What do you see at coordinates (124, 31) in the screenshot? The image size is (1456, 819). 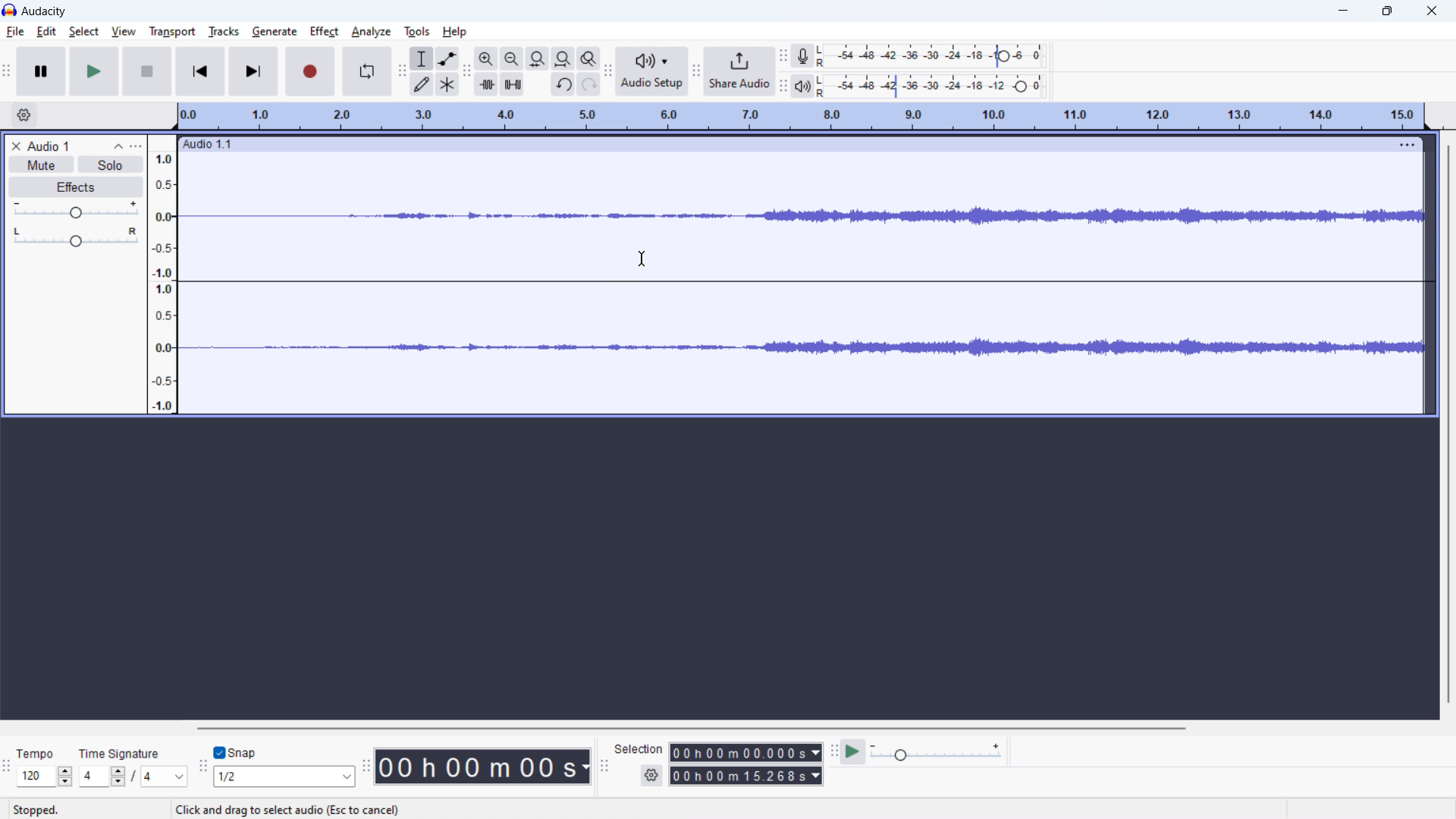 I see `view` at bounding box center [124, 31].